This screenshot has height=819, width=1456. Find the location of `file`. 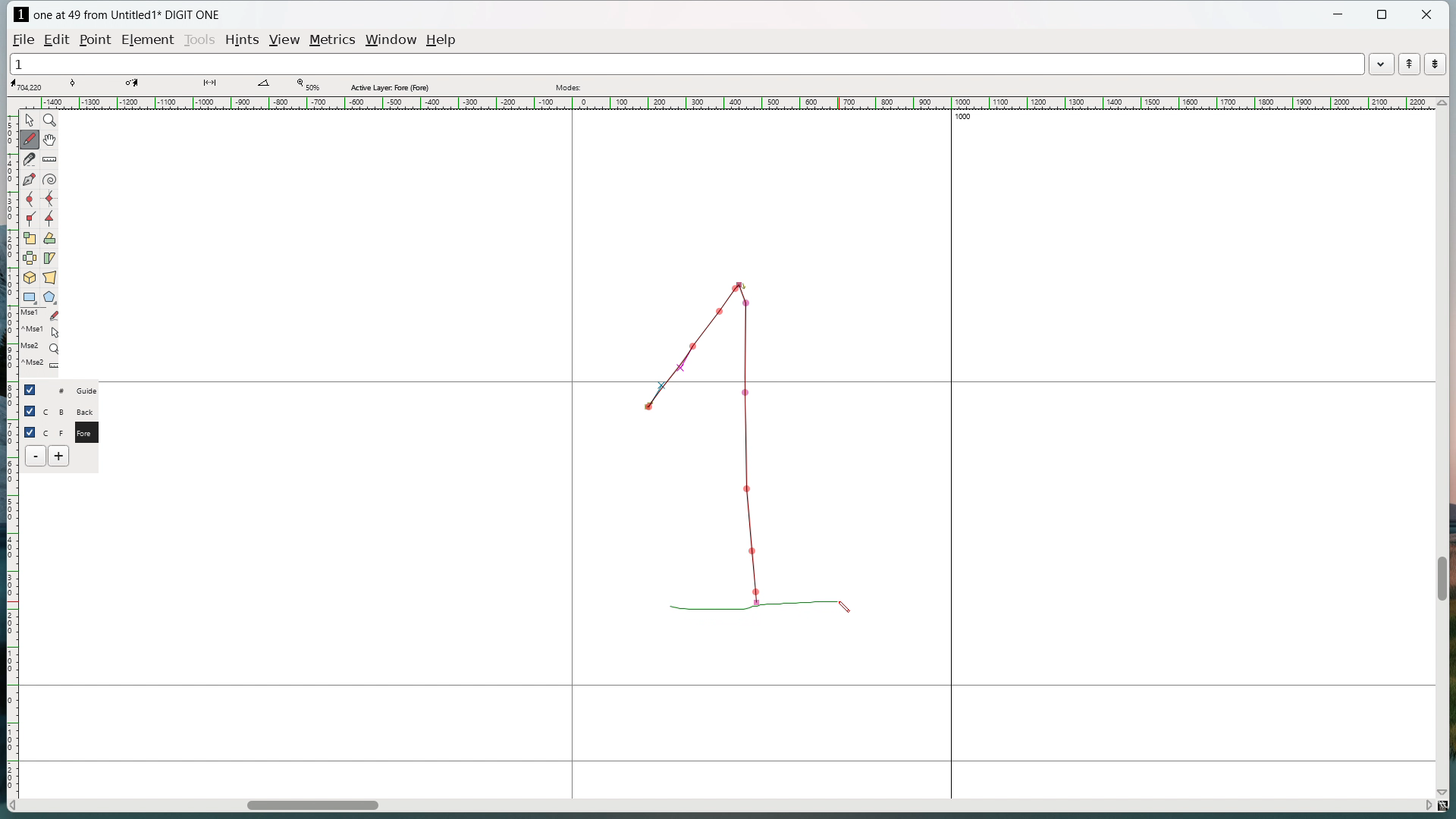

file is located at coordinates (24, 39).